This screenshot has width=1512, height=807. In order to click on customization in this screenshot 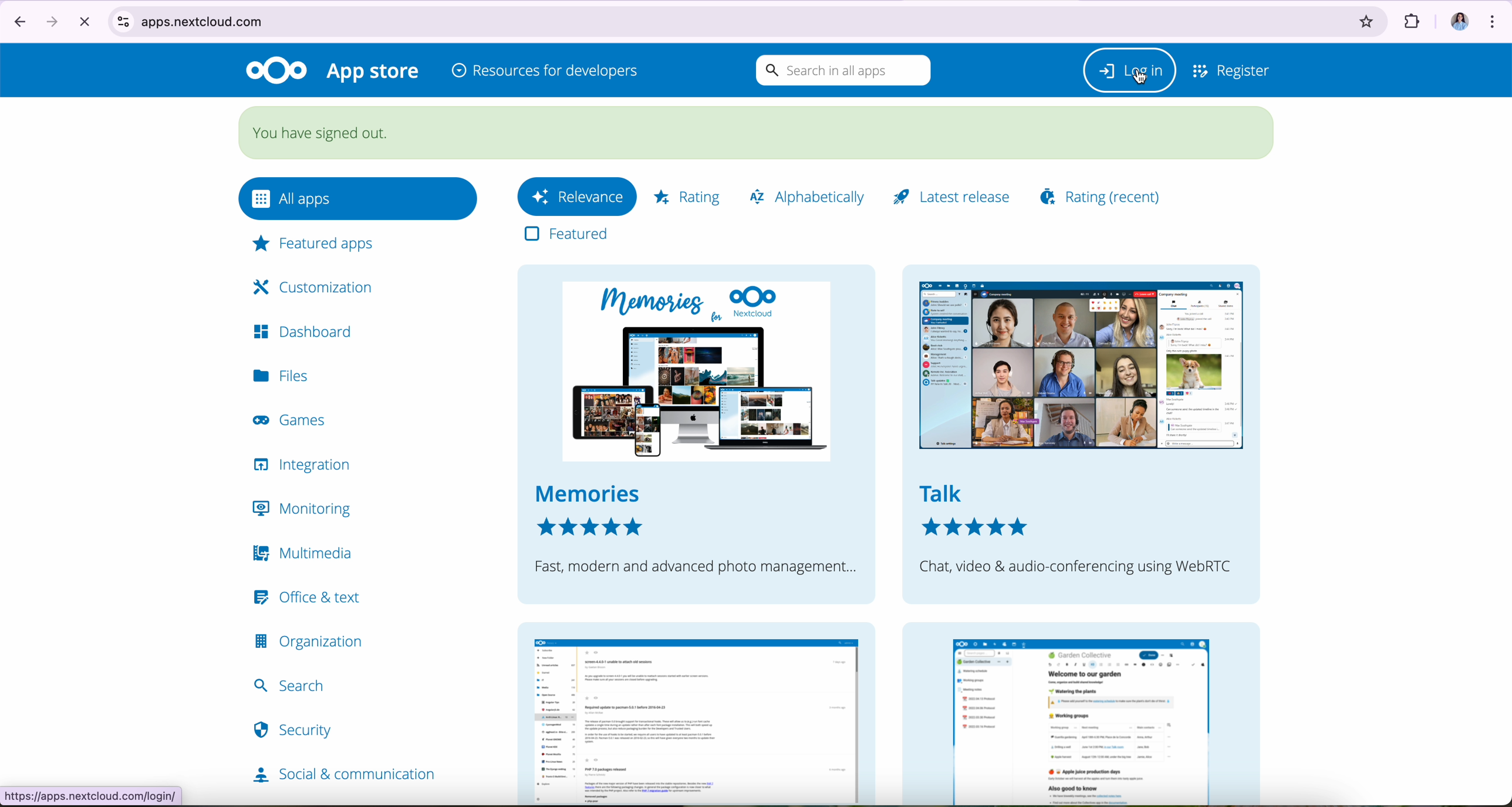, I will do `click(316, 284)`.